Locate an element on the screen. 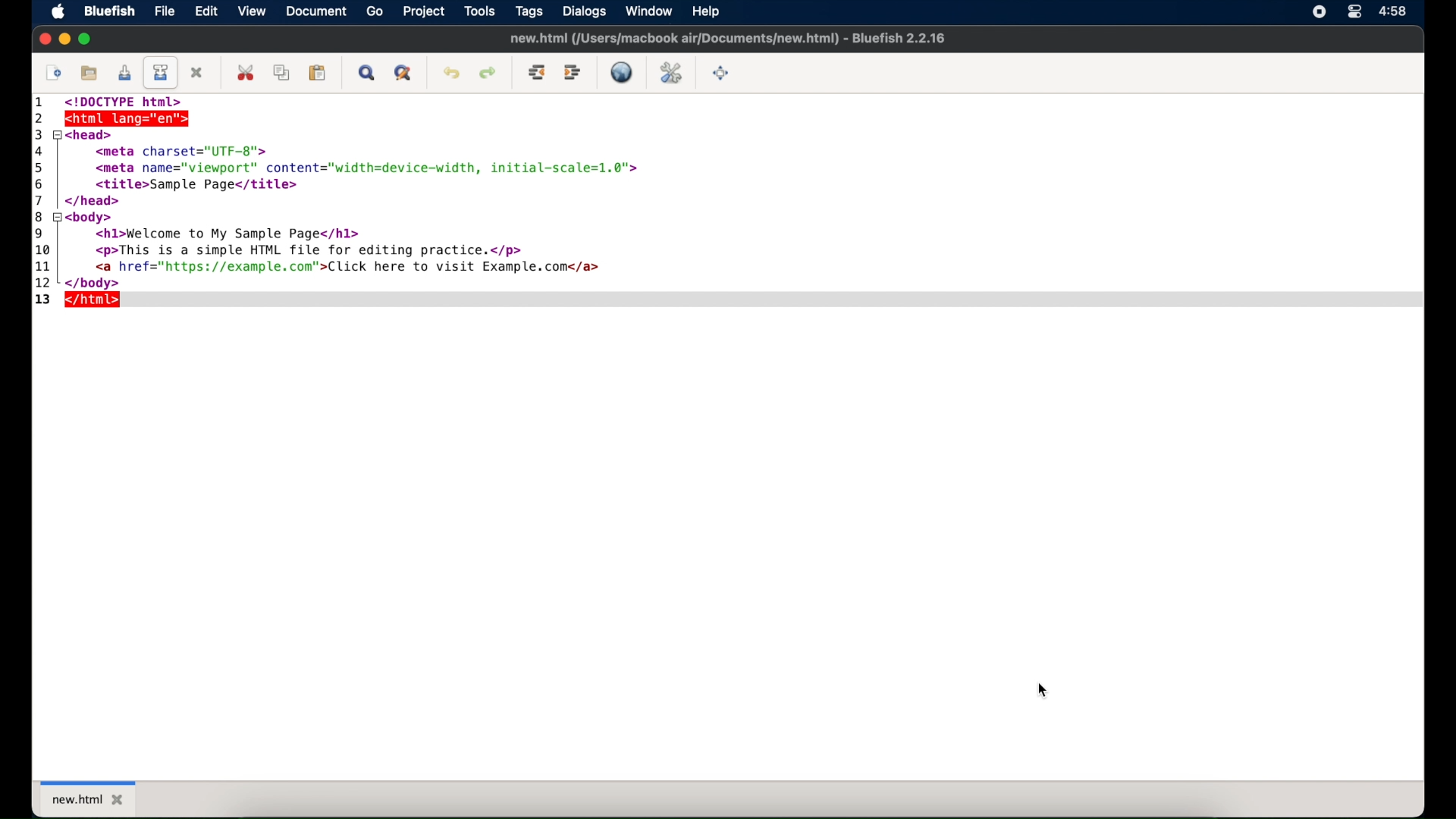 The width and height of the screenshot is (1456, 819). <p>This is a simple HTML file for editing practice.</p> is located at coordinates (306, 249).